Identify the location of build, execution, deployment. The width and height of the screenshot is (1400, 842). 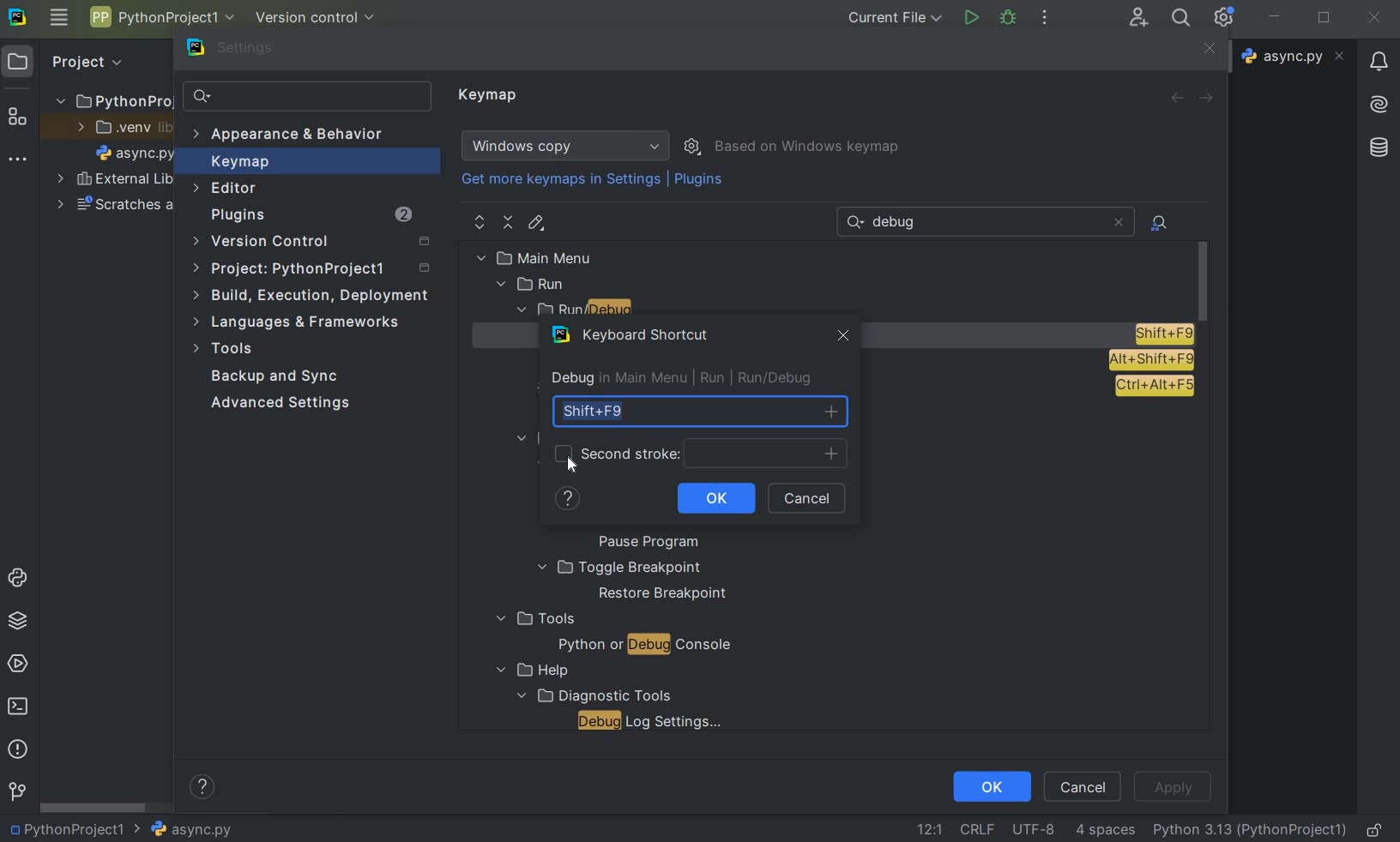
(312, 295).